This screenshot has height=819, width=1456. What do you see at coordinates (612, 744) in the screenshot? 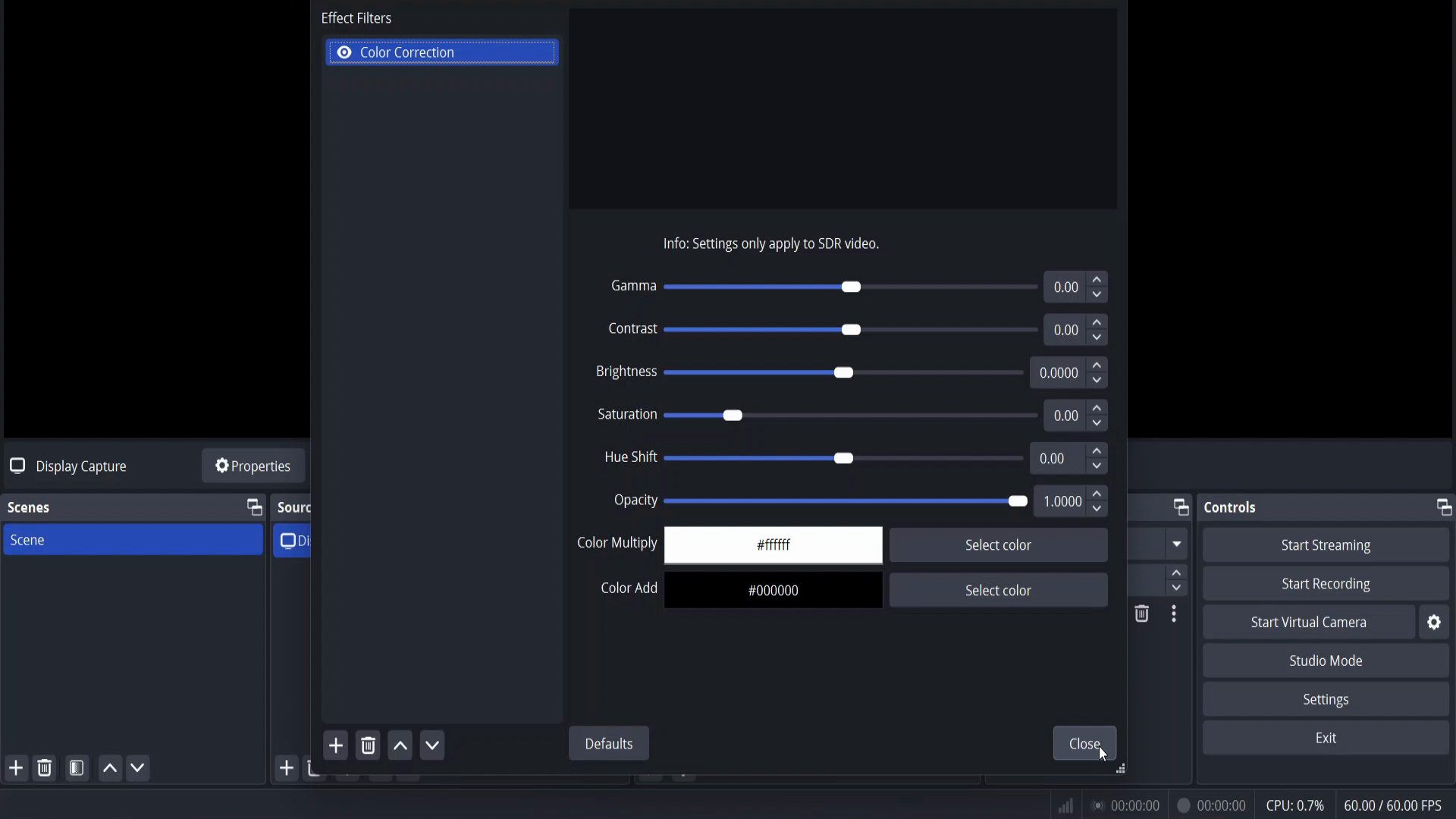
I see `defaults` at bounding box center [612, 744].